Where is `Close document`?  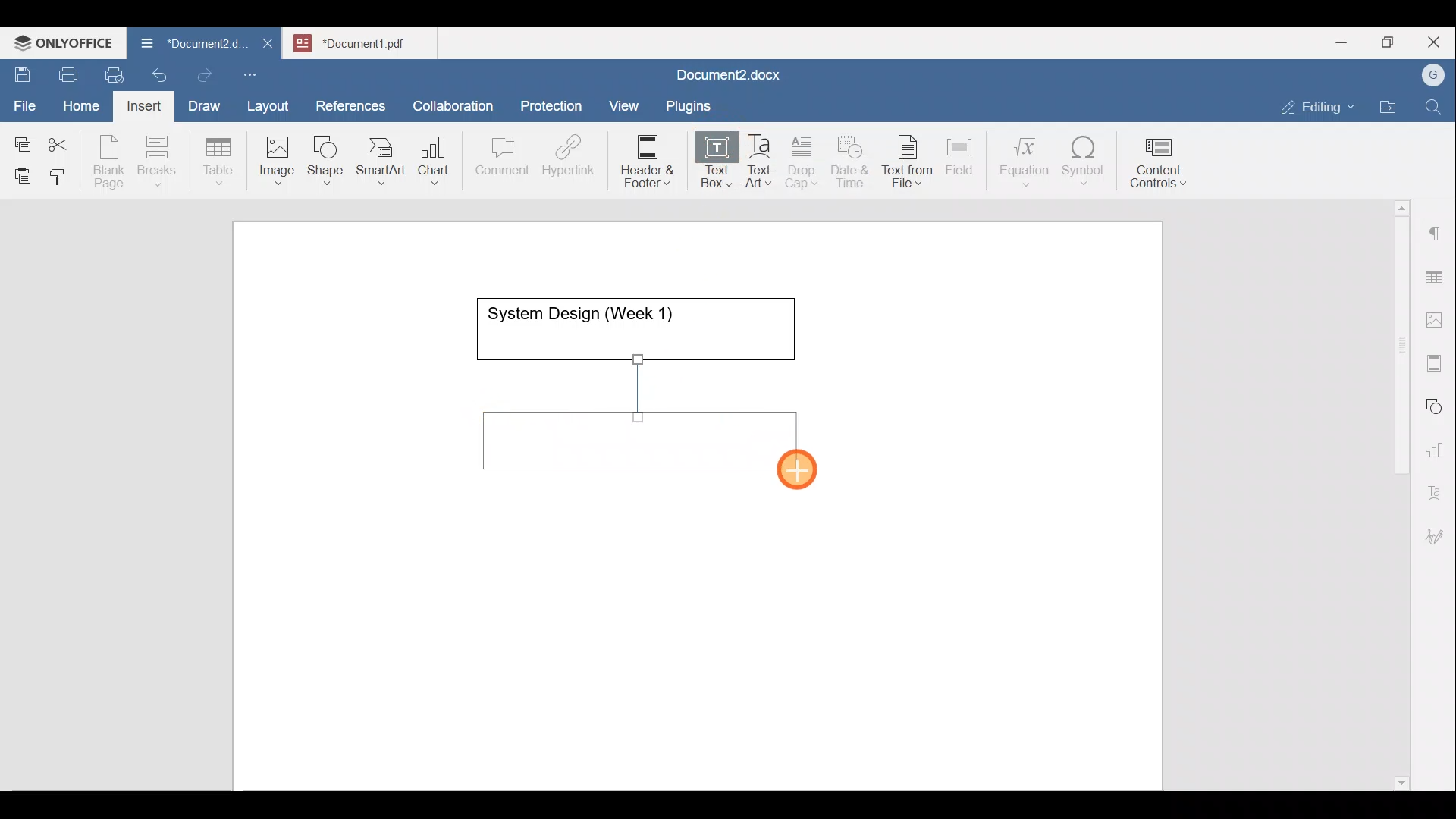 Close document is located at coordinates (268, 45).